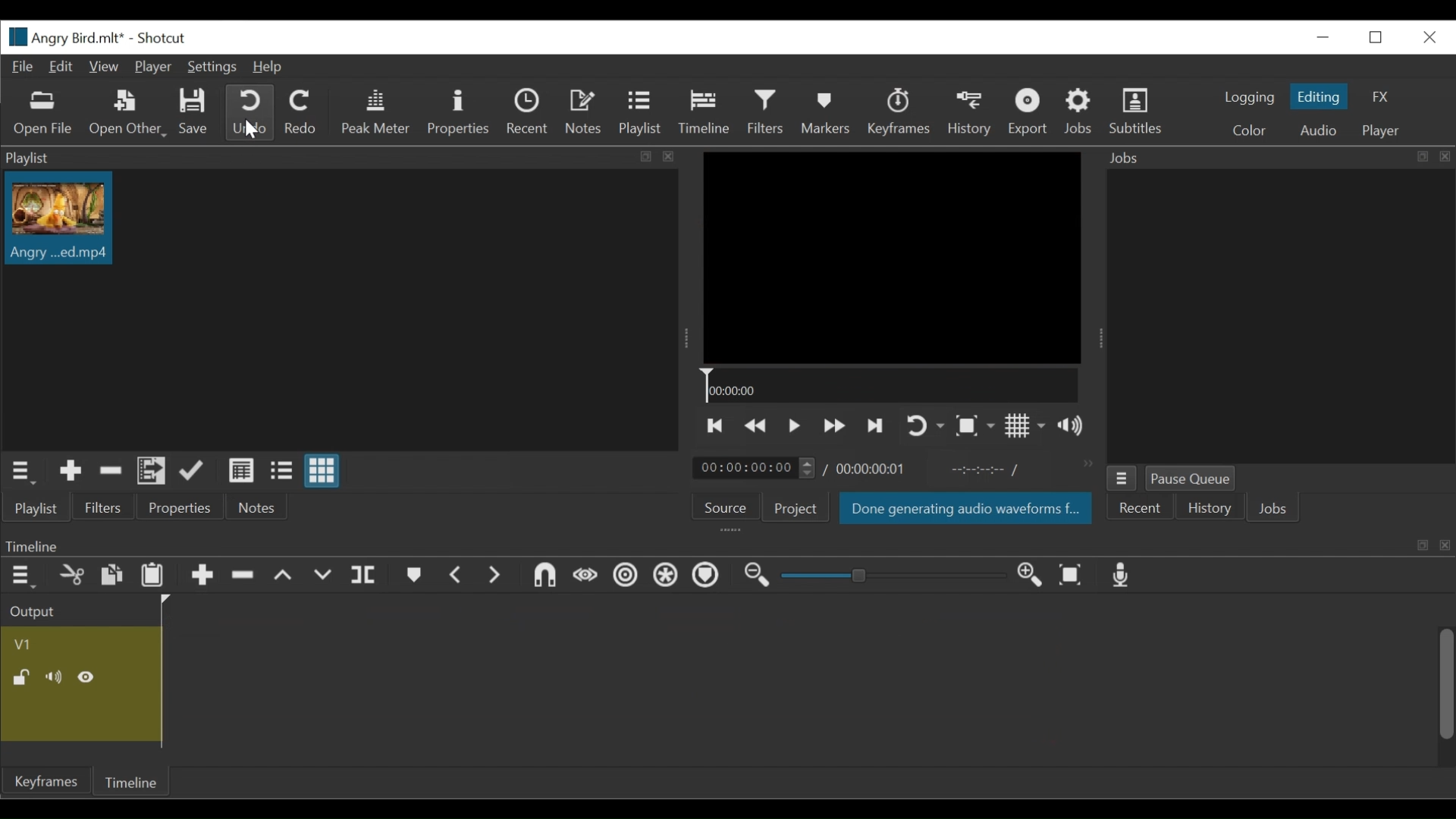  I want to click on Peak Meter, so click(377, 111).